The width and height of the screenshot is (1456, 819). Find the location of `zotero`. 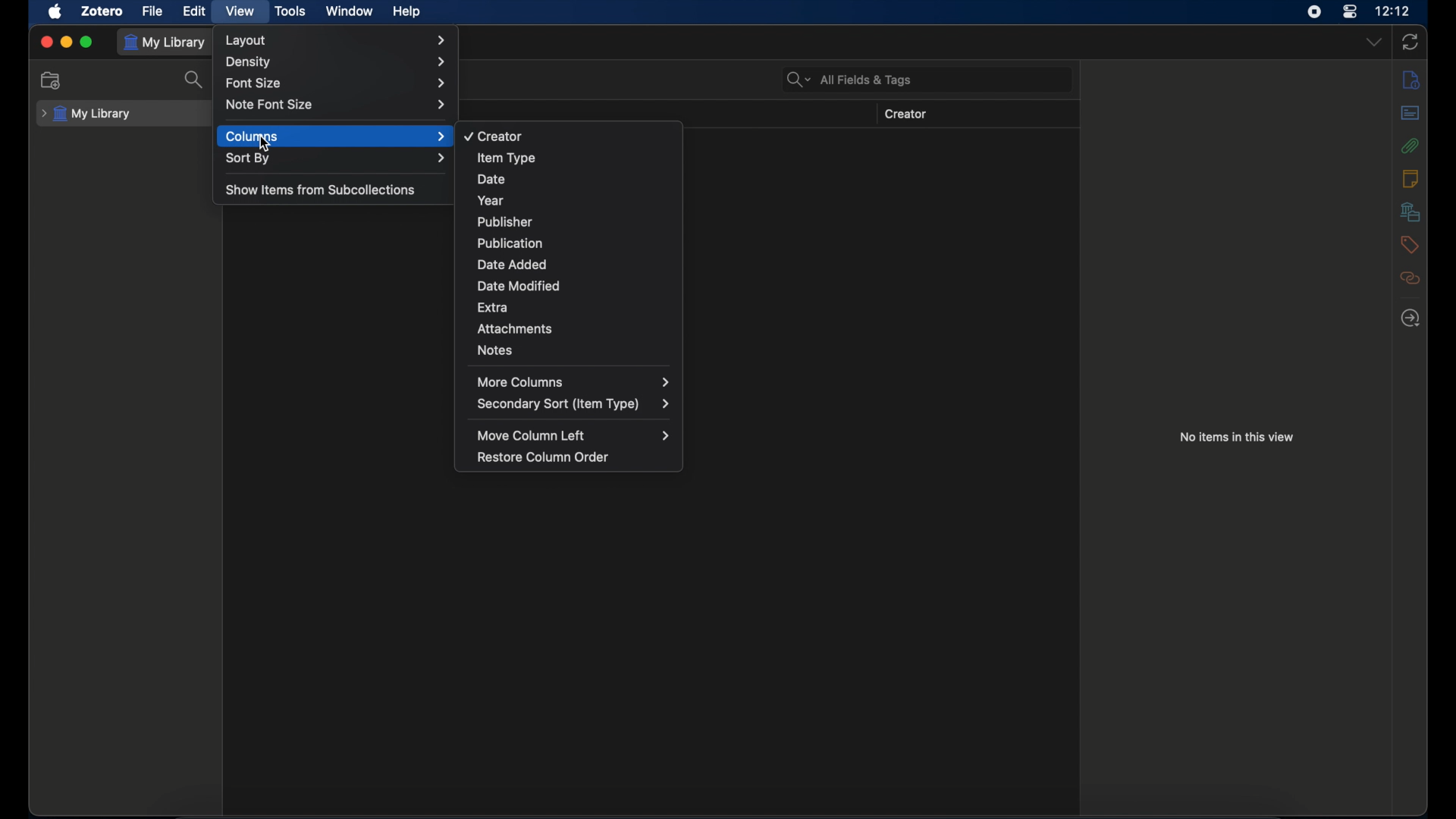

zotero is located at coordinates (103, 11).